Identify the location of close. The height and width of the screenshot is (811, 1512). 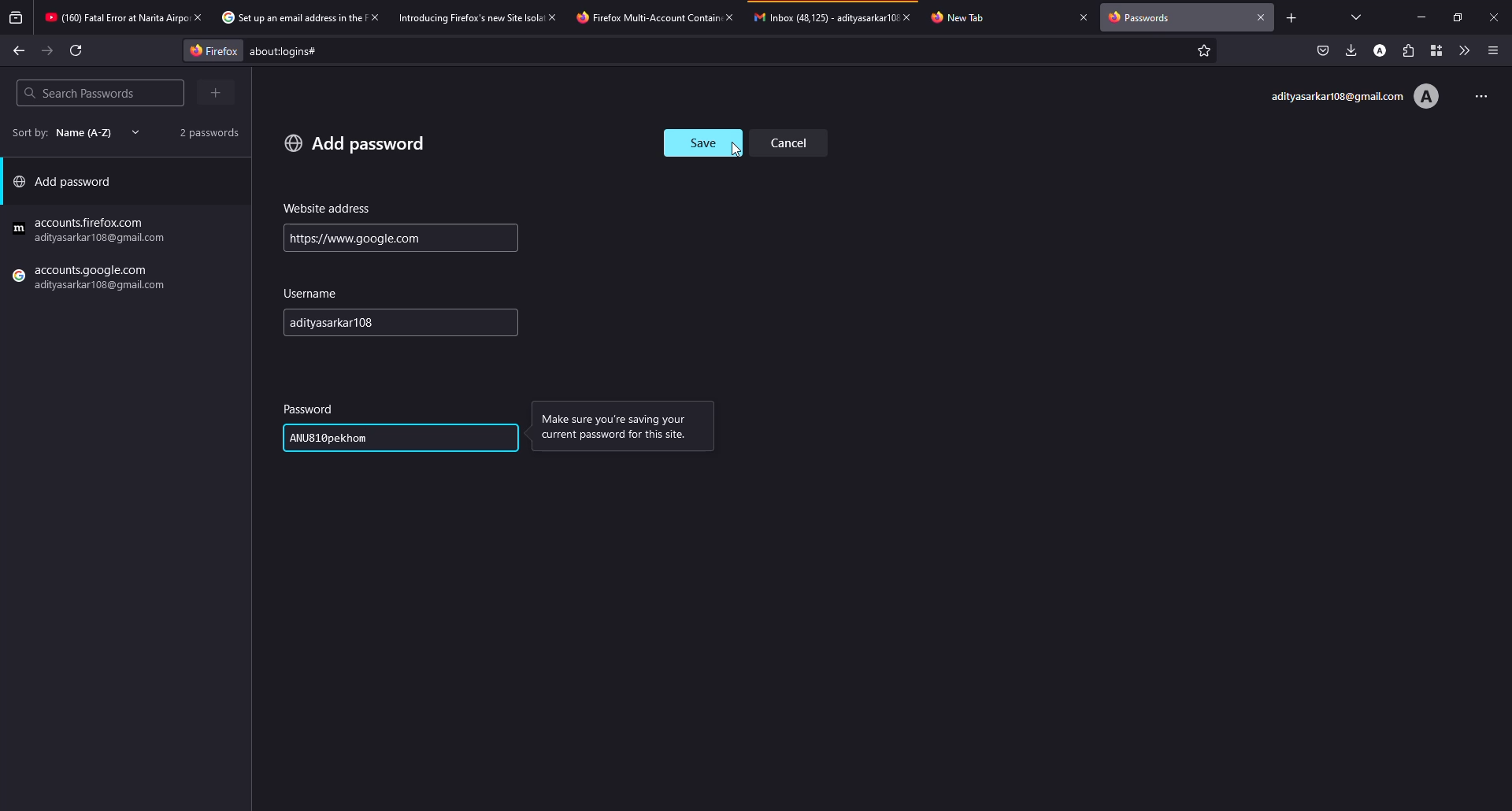
(554, 17).